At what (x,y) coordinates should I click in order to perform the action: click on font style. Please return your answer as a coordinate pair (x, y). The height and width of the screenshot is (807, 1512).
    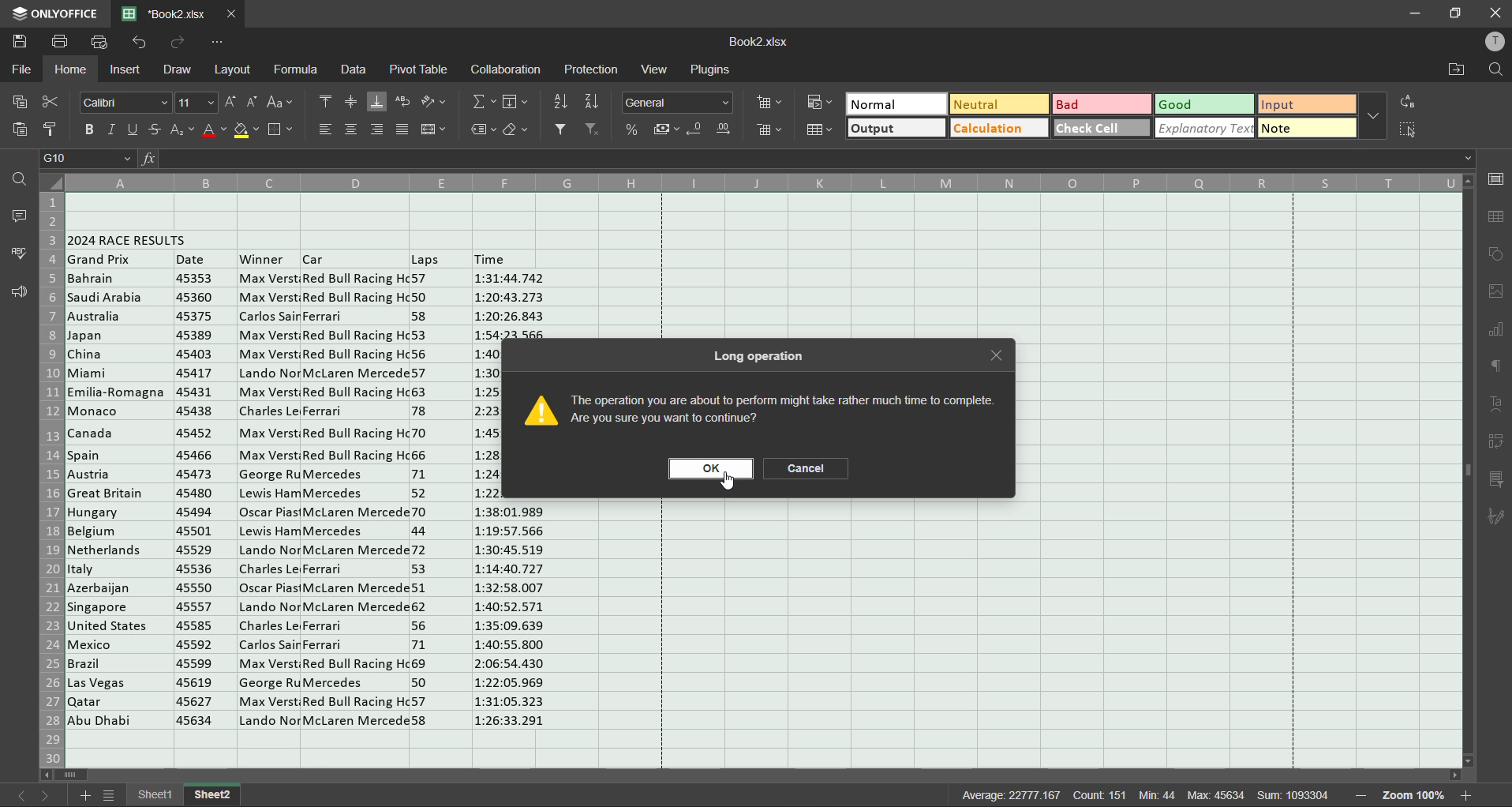
    Looking at the image, I should click on (124, 103).